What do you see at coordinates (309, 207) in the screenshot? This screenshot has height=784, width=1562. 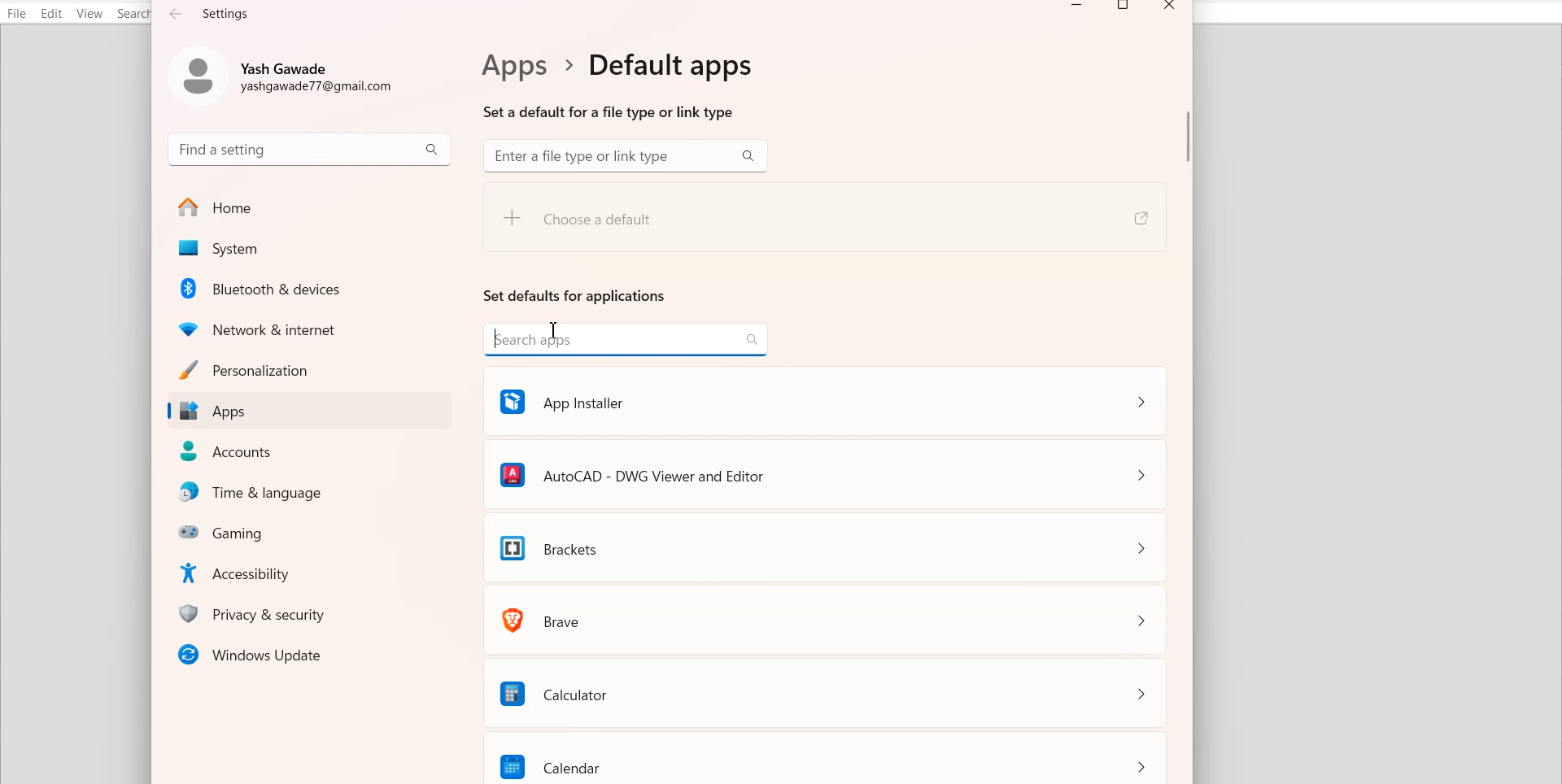 I see `Home` at bounding box center [309, 207].